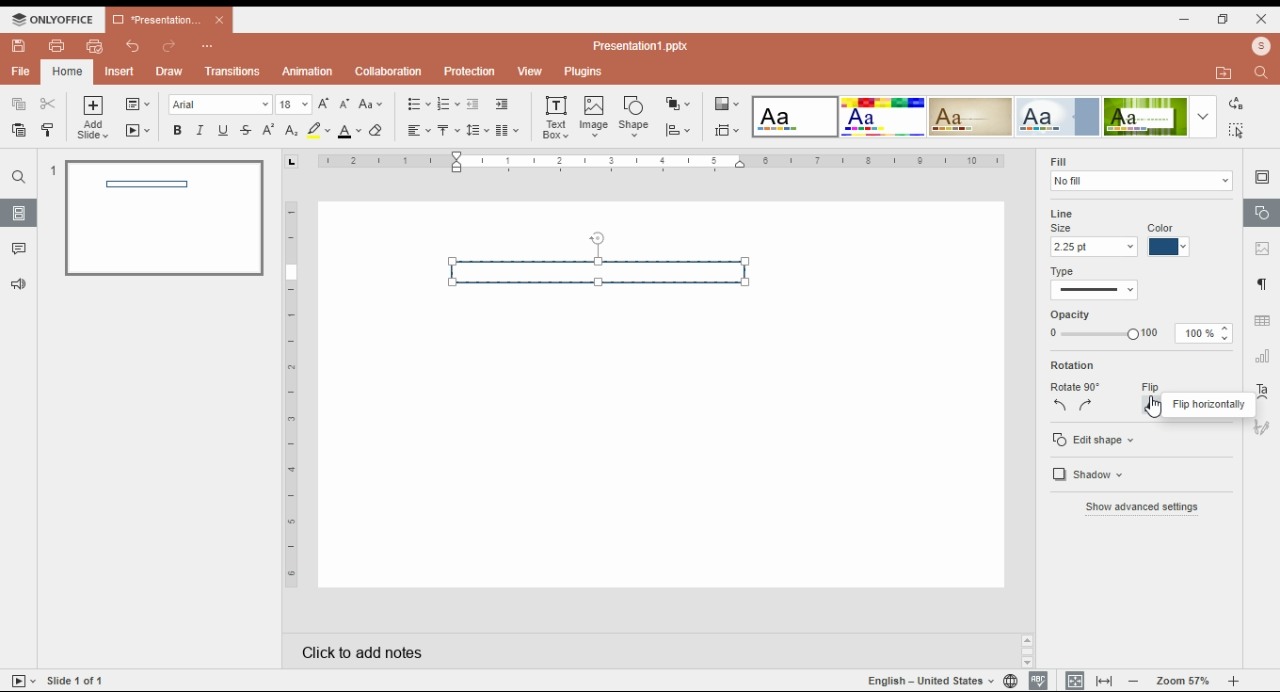 This screenshot has width=1280, height=692. I want to click on open file location, so click(1227, 72).